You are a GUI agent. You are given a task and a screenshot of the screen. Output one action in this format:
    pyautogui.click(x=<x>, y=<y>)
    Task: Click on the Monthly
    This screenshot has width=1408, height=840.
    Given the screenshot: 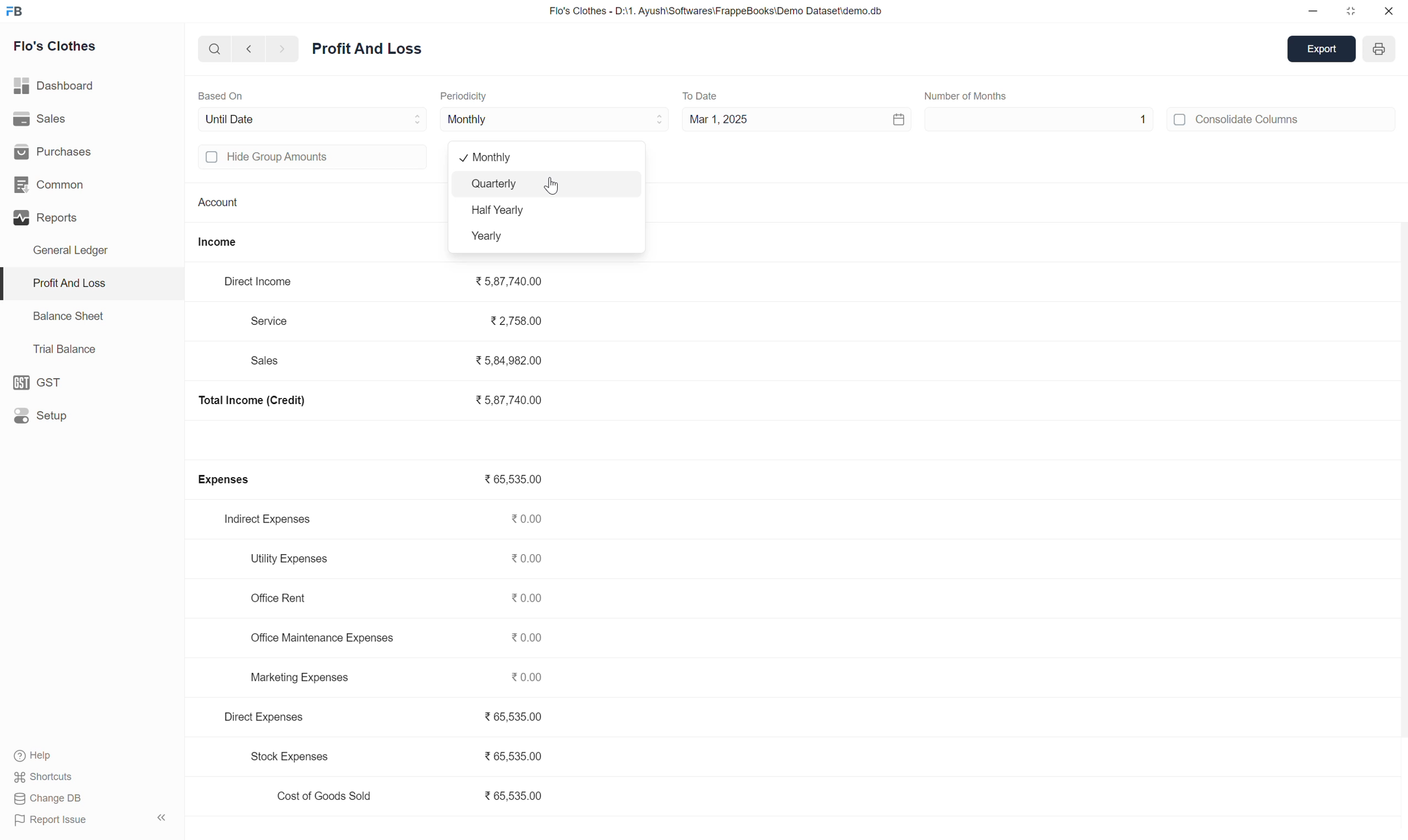 What is the action you would take?
    pyautogui.click(x=467, y=119)
    